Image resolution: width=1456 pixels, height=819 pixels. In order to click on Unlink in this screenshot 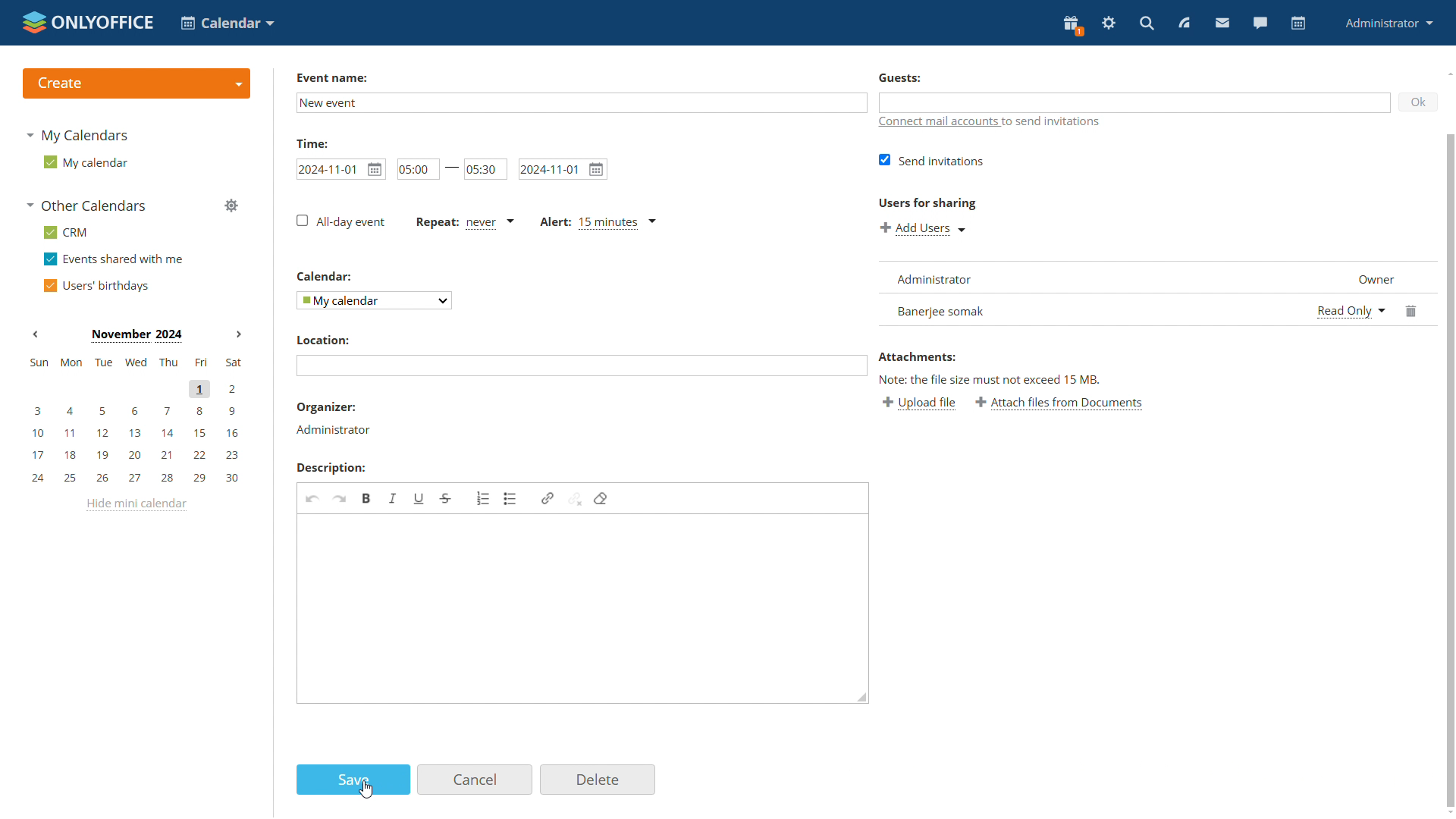, I will do `click(575, 500)`.